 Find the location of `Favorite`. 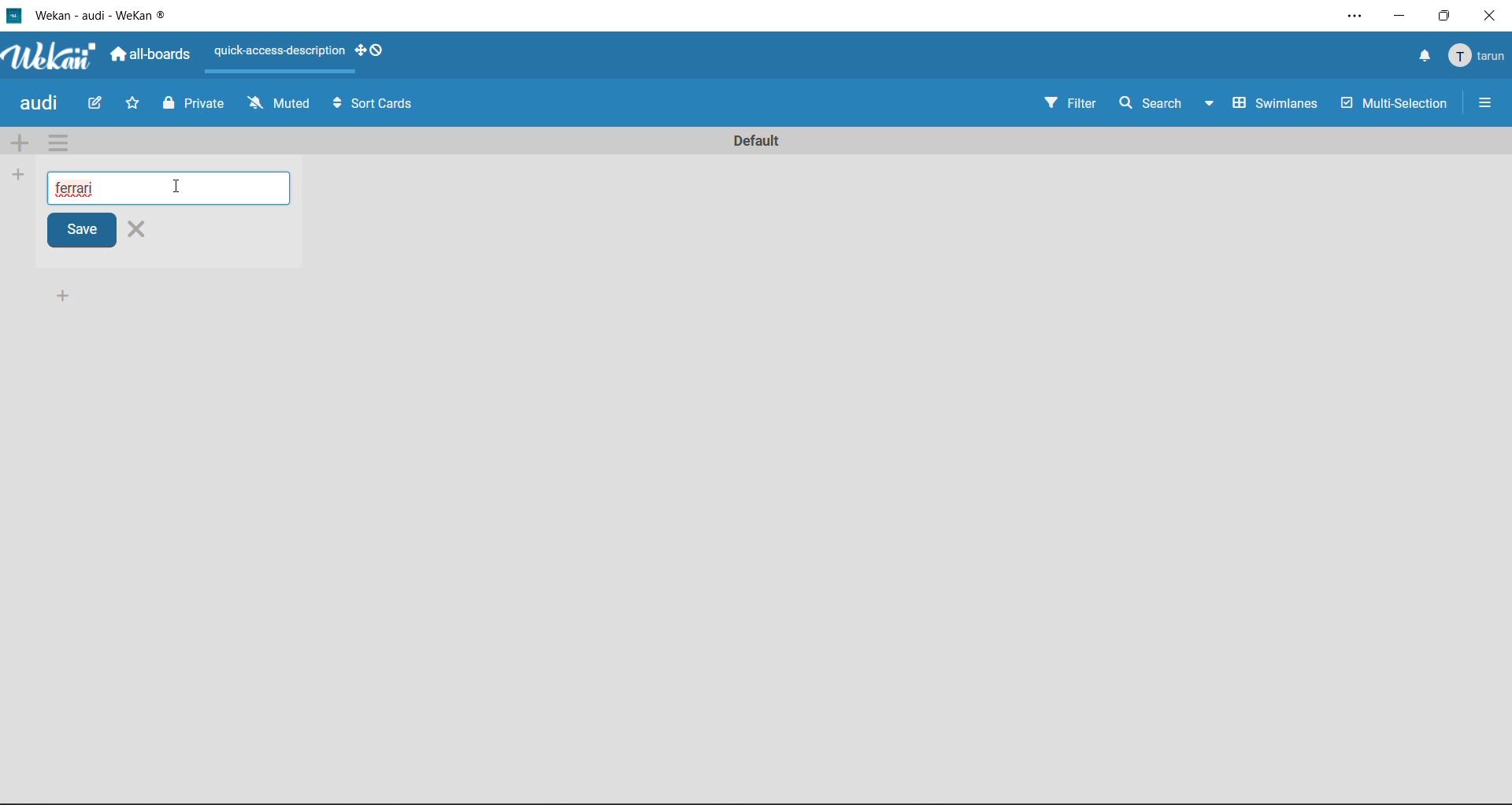

Favorite is located at coordinates (133, 103).